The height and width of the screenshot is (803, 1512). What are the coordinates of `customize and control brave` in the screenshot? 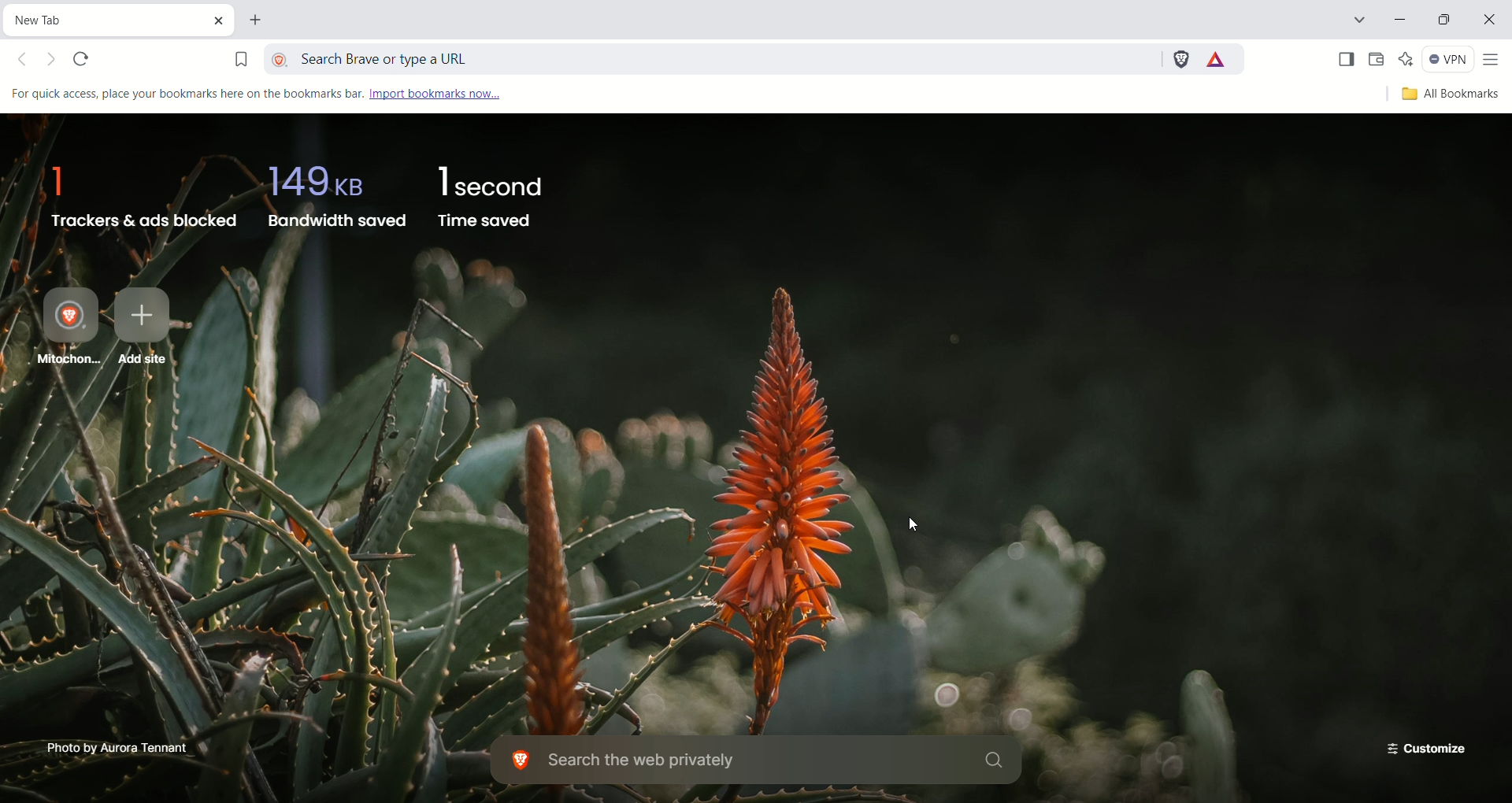 It's located at (1494, 61).